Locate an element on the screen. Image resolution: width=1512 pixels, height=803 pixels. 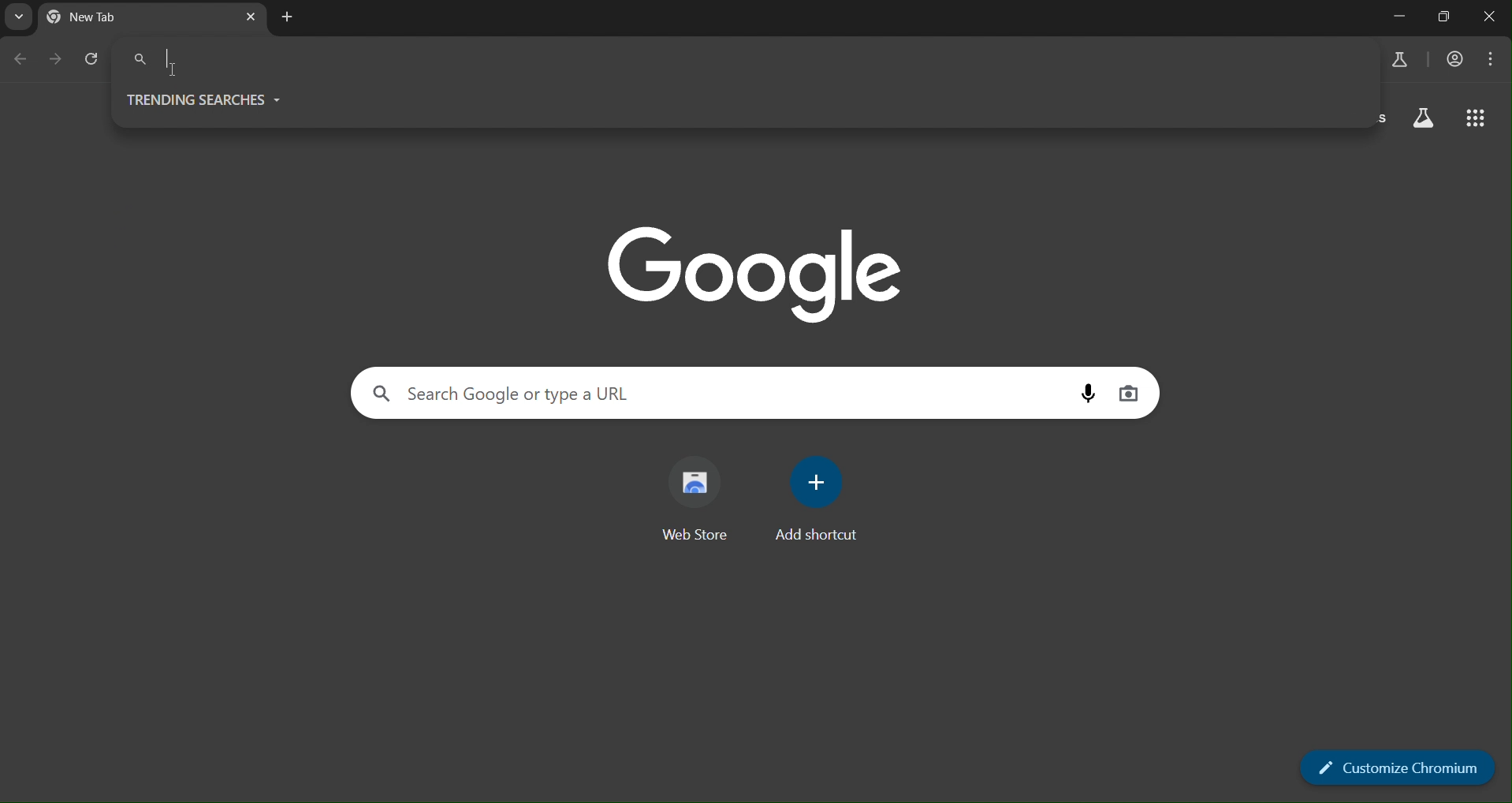
search google or type a URL is located at coordinates (307, 58).